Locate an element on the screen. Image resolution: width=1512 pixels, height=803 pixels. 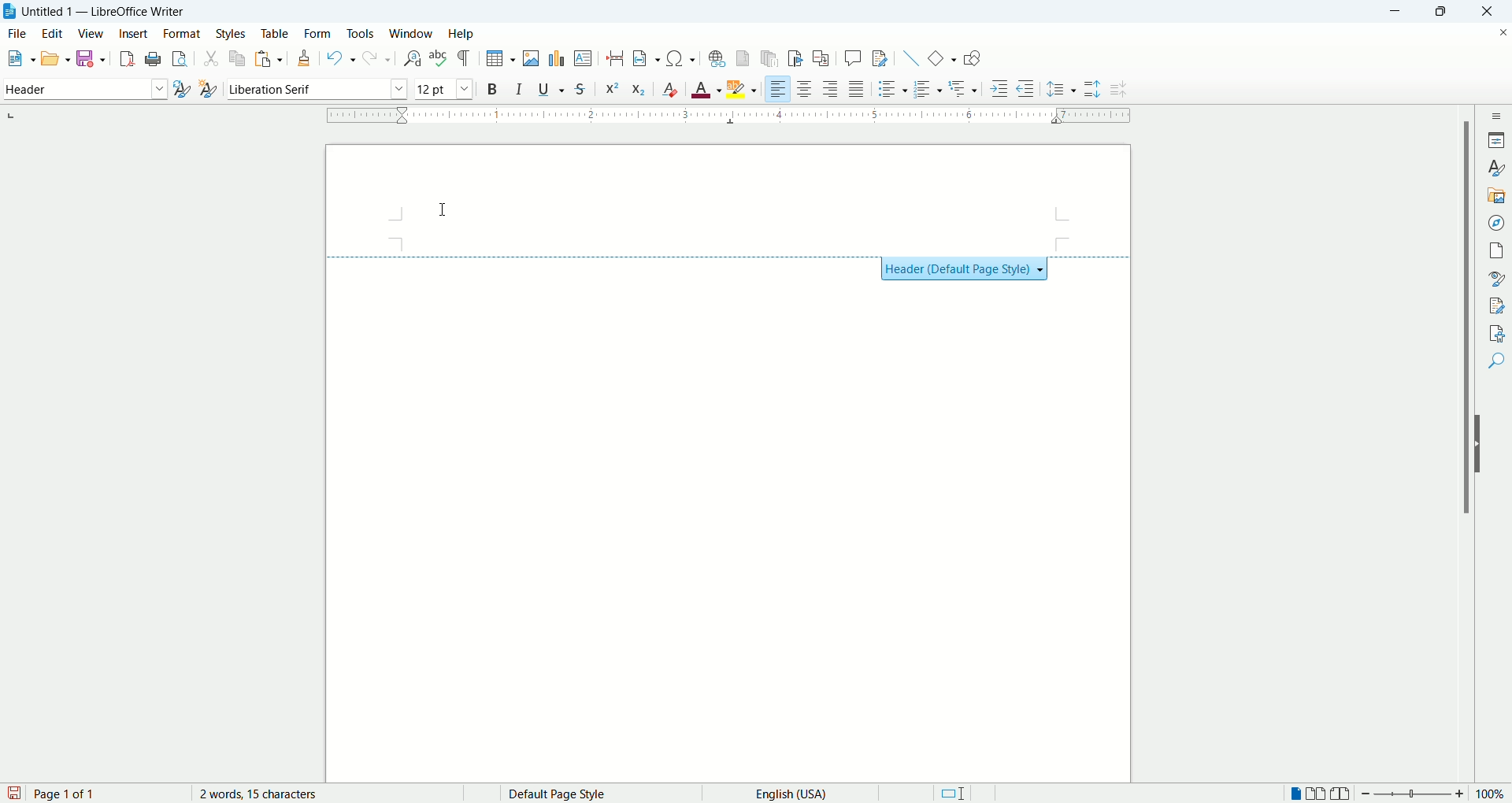
undo is located at coordinates (341, 58).